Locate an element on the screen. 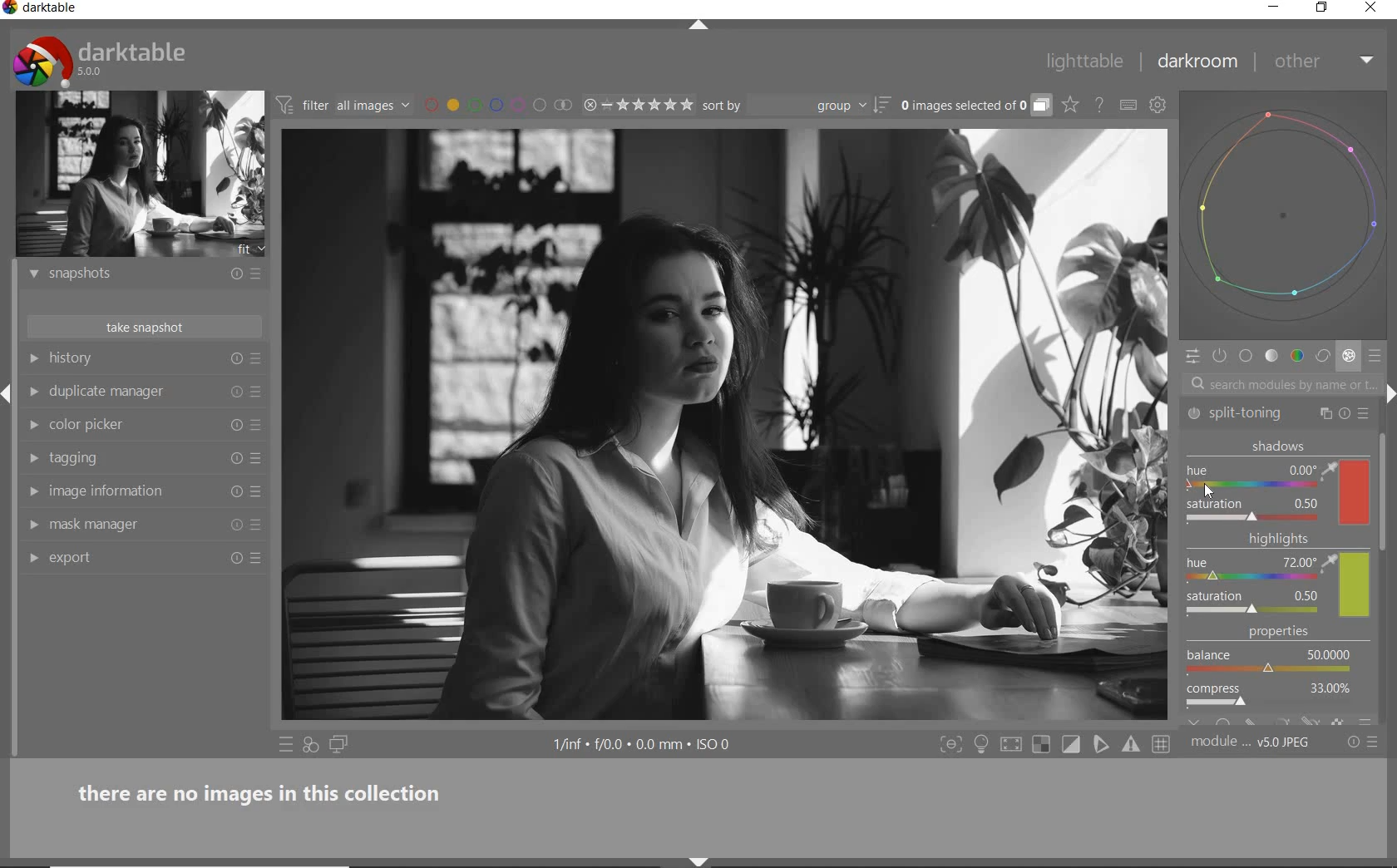  preset and preferences is located at coordinates (257, 392).